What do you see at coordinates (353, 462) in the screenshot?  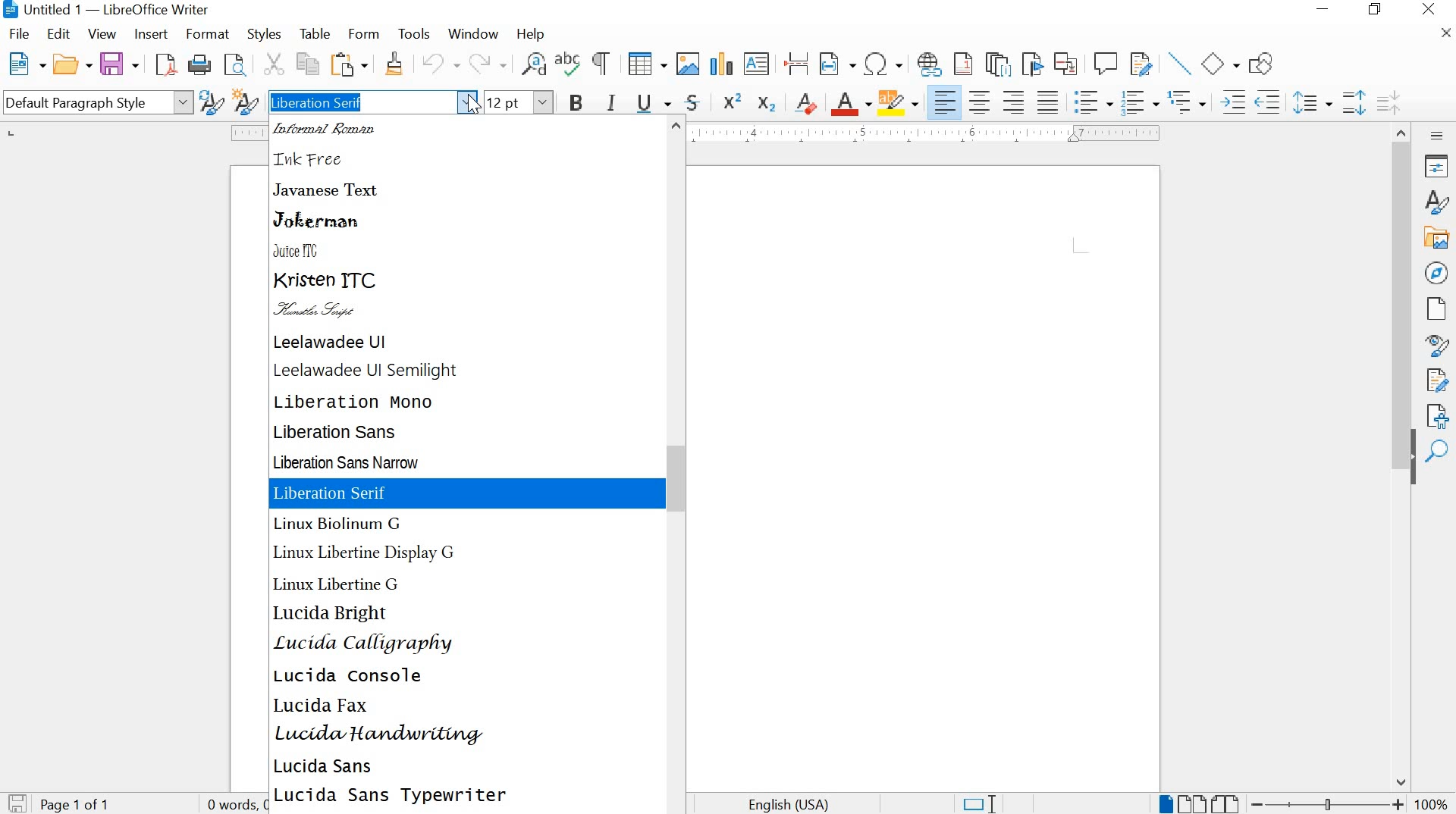 I see `LIBERATION SANS NARROW` at bounding box center [353, 462].